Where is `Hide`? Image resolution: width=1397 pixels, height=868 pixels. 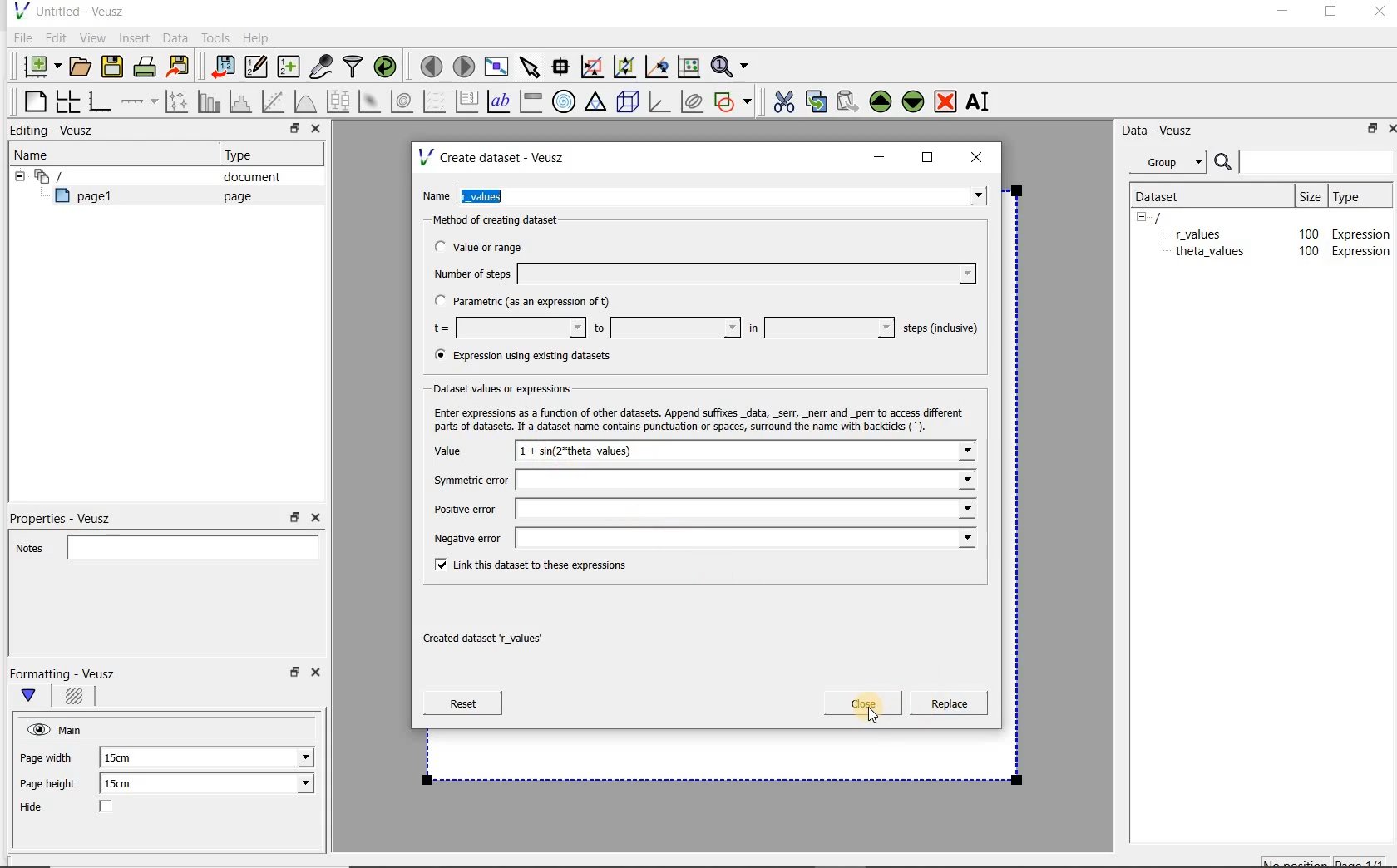 Hide is located at coordinates (82, 808).